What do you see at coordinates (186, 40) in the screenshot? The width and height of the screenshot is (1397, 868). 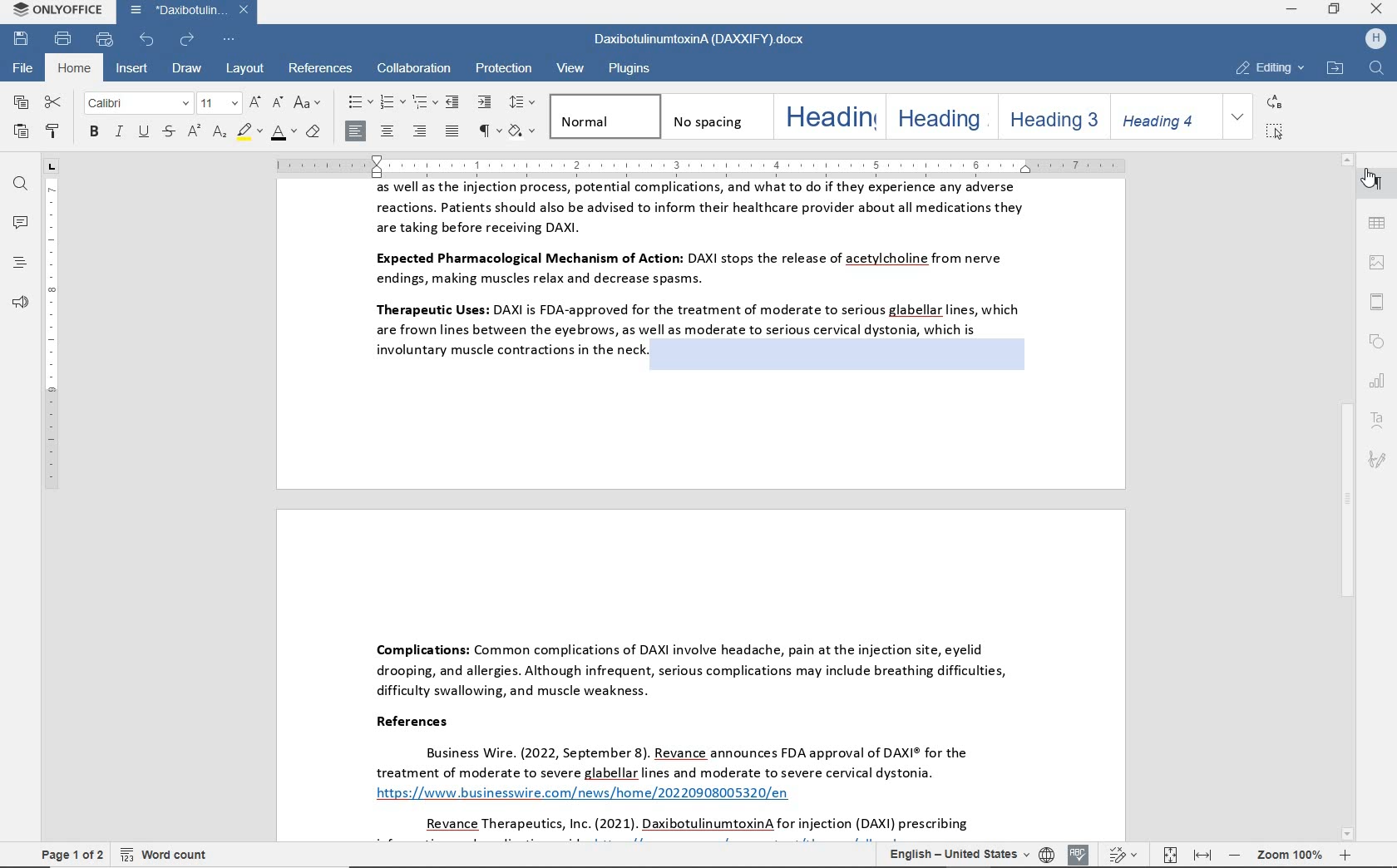 I see `redo` at bounding box center [186, 40].